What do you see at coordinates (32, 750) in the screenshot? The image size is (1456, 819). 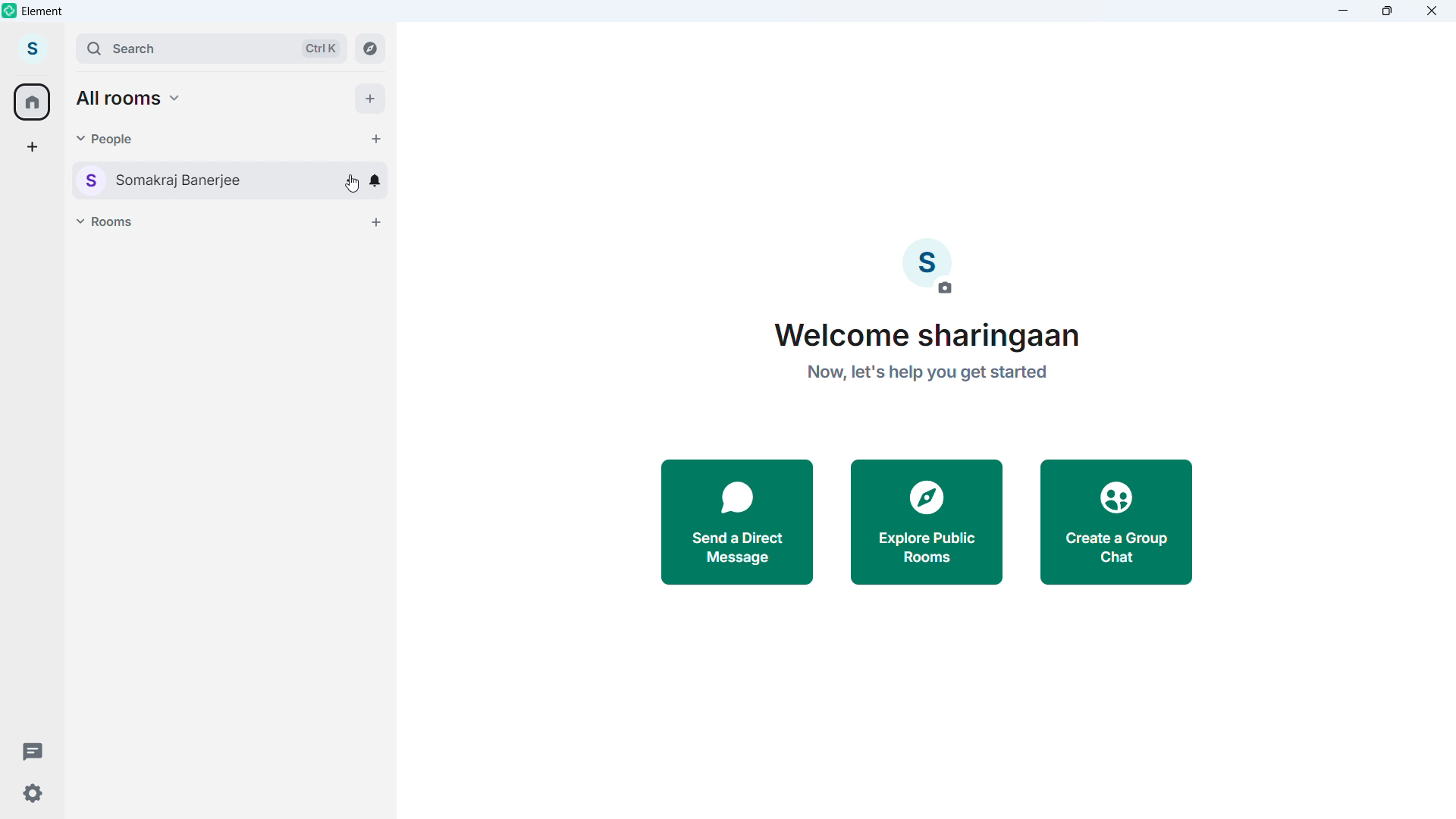 I see `Threads ` at bounding box center [32, 750].